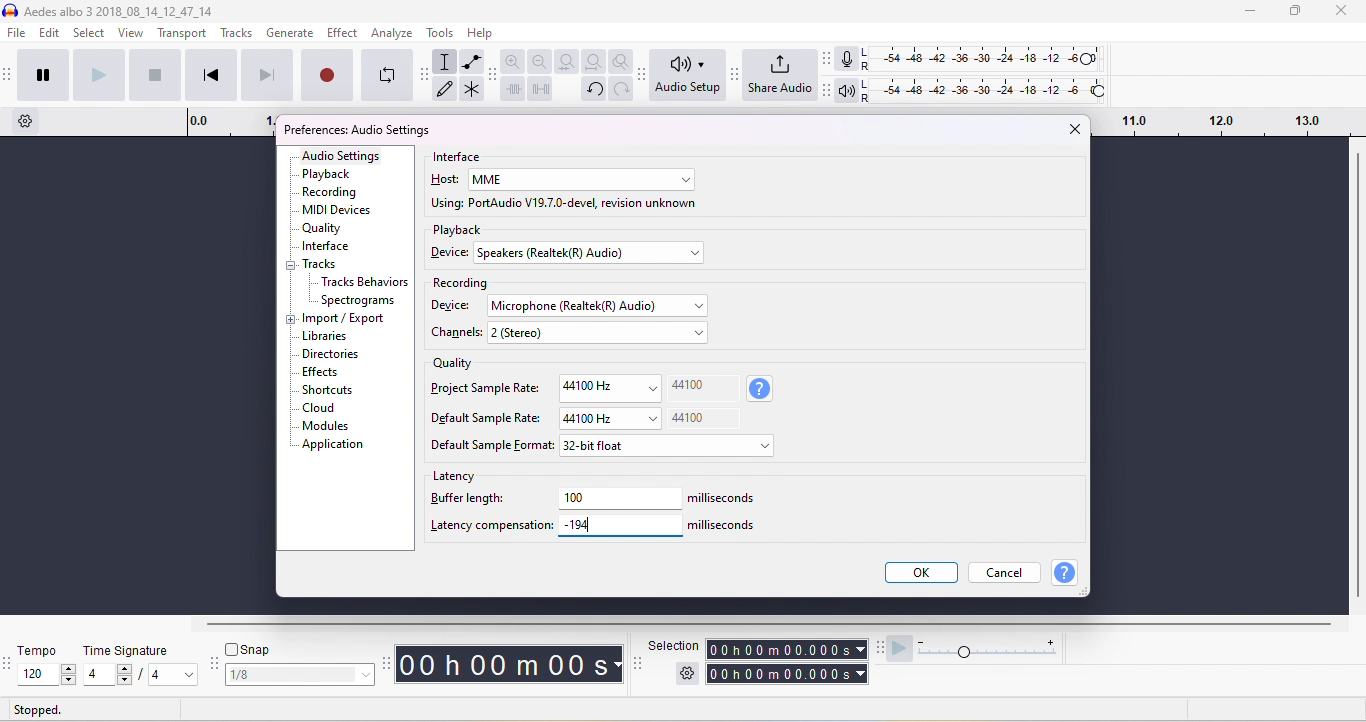 This screenshot has height=722, width=1366. What do you see at coordinates (673, 646) in the screenshot?
I see `selection` at bounding box center [673, 646].